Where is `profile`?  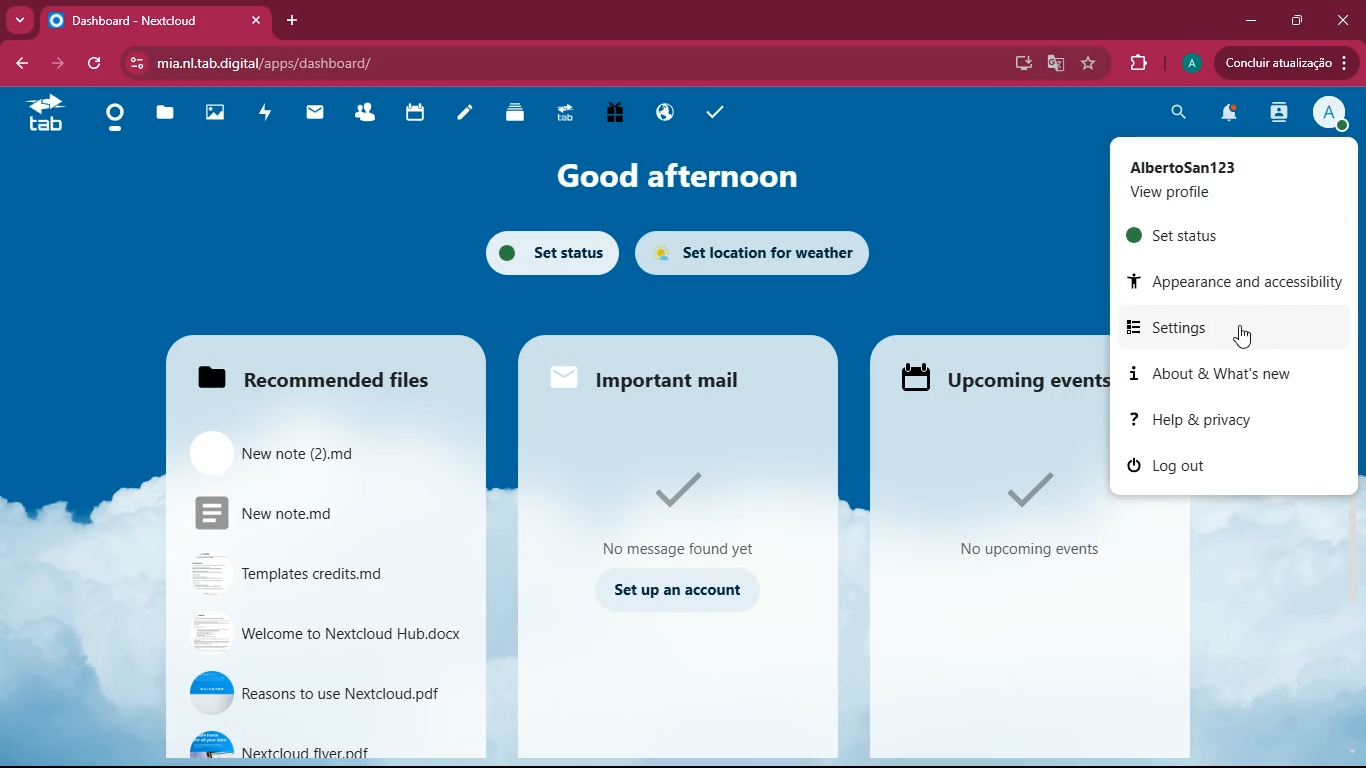 profile is located at coordinates (1218, 178).